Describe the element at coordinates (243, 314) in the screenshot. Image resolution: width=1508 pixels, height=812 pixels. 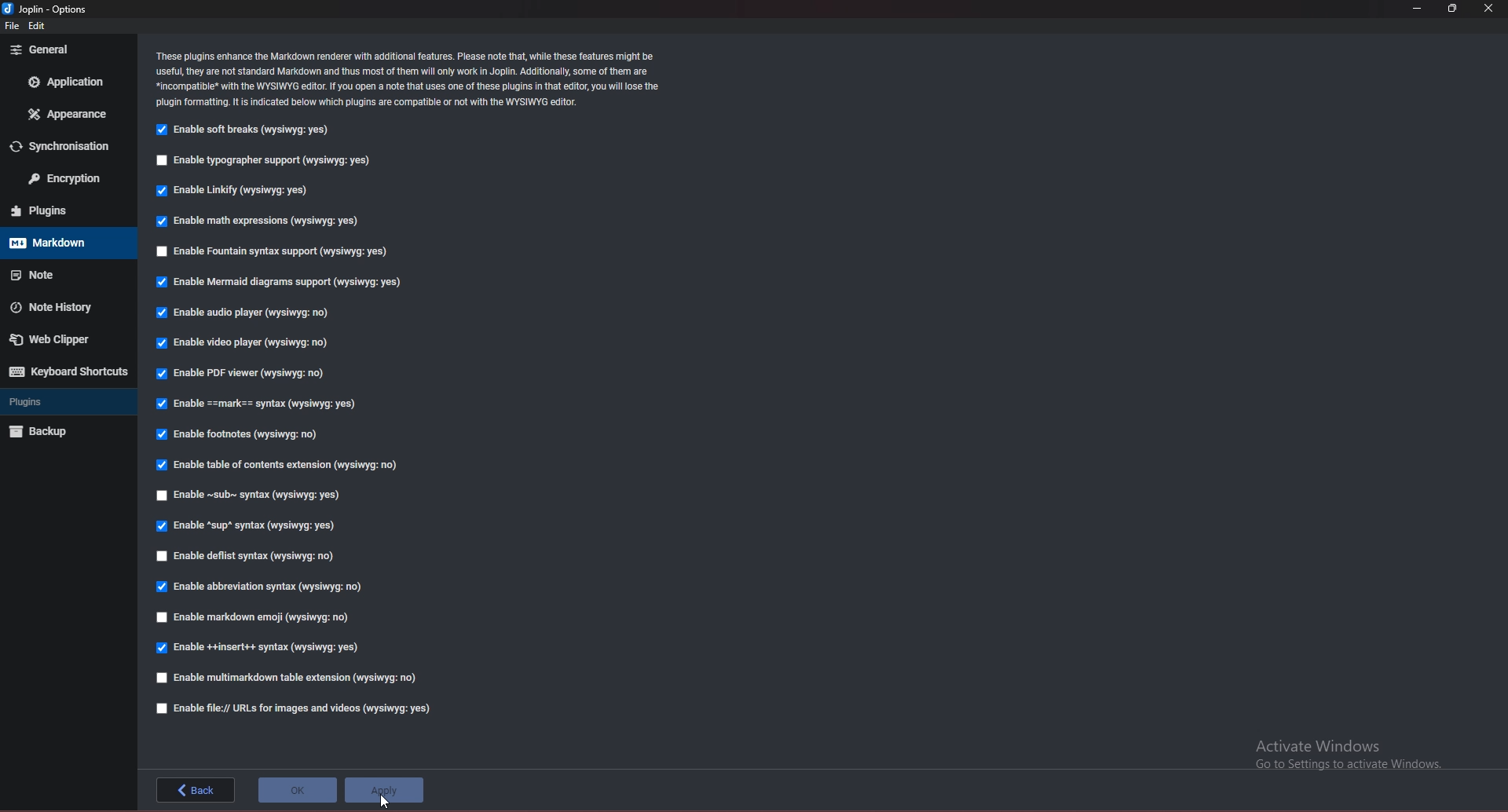
I see `enable audio player` at that location.